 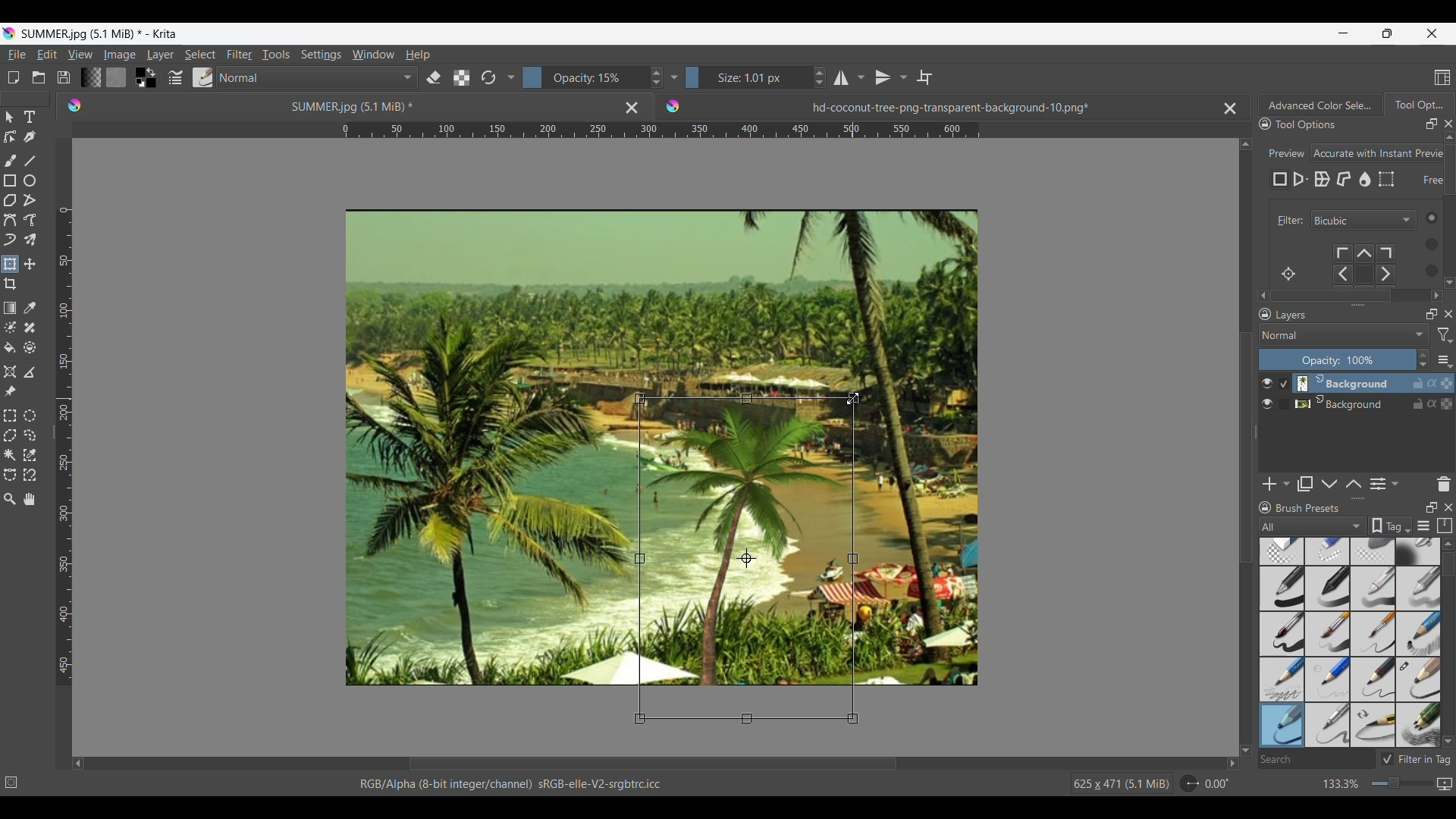 I want to click on Bicubic, so click(x=1363, y=221).